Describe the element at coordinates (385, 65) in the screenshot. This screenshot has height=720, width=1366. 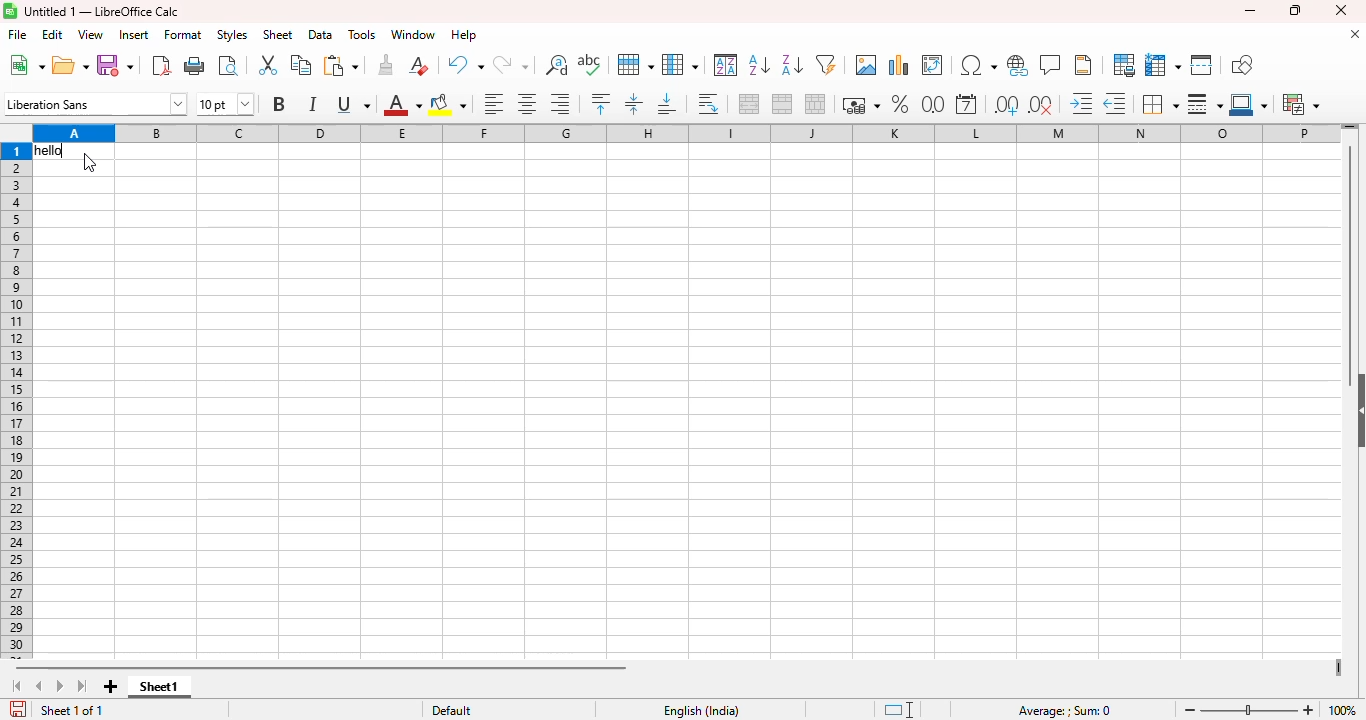
I see `clone formatting` at that location.